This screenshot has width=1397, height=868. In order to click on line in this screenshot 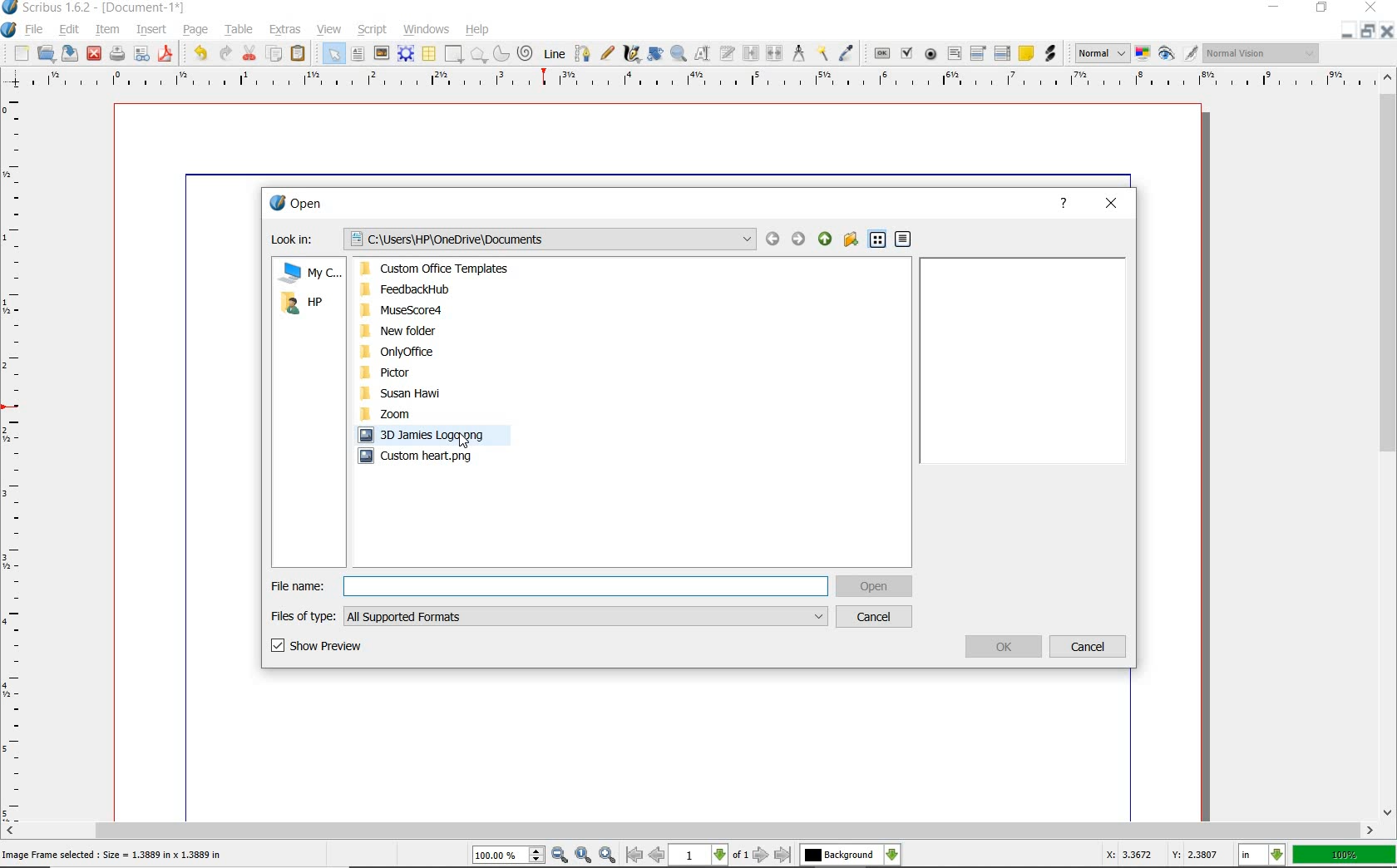, I will do `click(555, 52)`.